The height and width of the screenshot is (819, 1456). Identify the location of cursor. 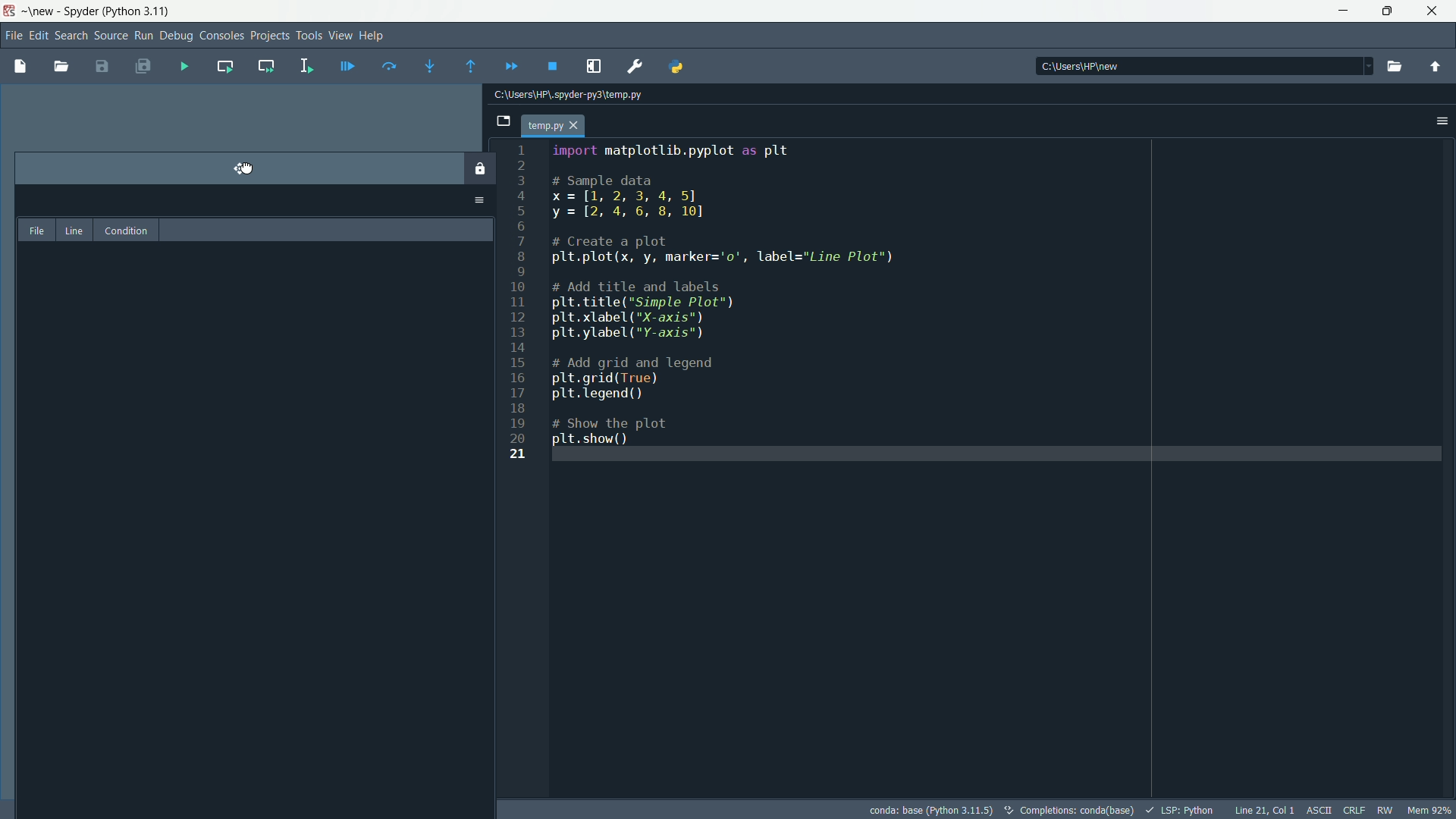
(246, 168).